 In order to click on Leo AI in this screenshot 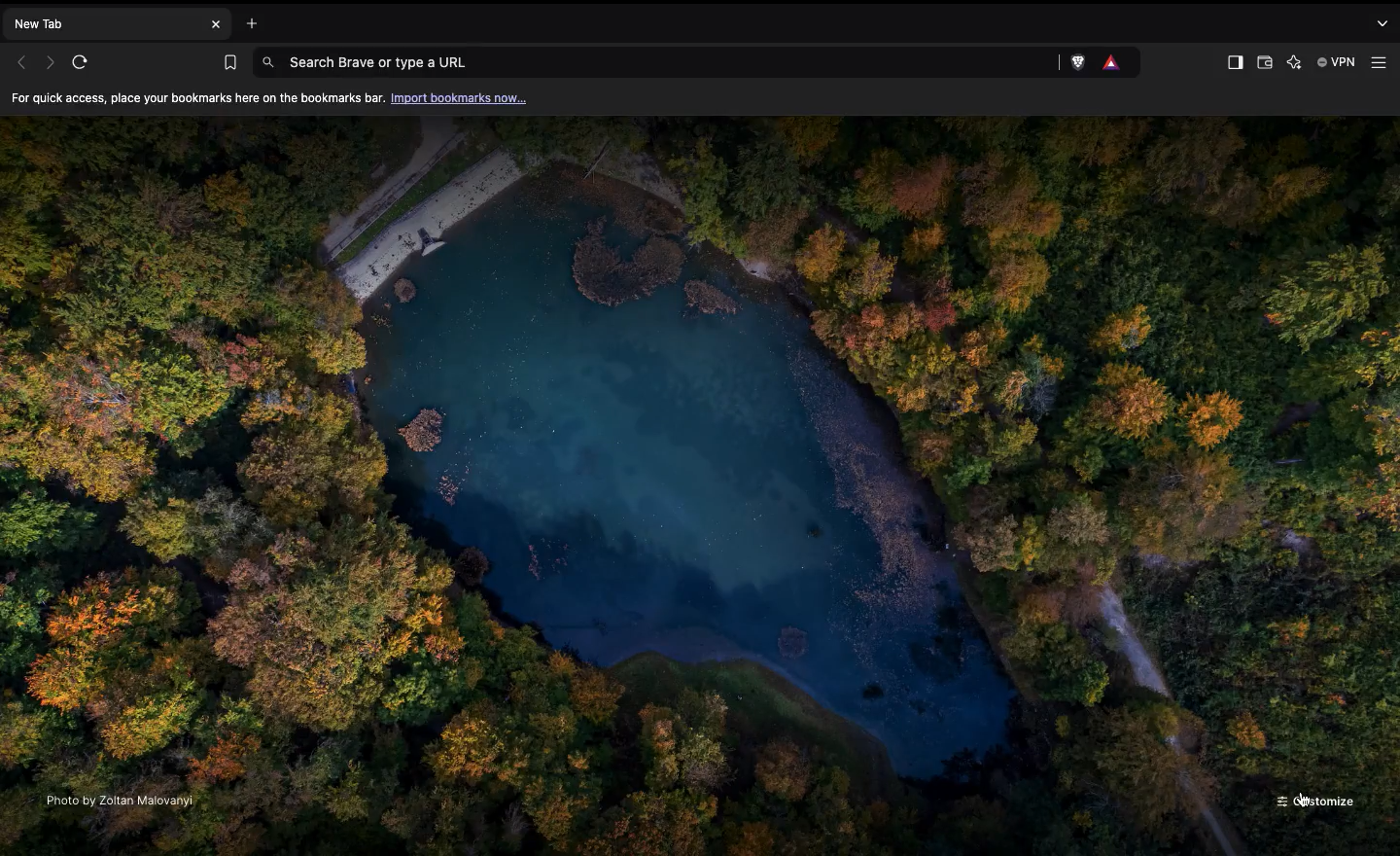, I will do `click(1293, 64)`.